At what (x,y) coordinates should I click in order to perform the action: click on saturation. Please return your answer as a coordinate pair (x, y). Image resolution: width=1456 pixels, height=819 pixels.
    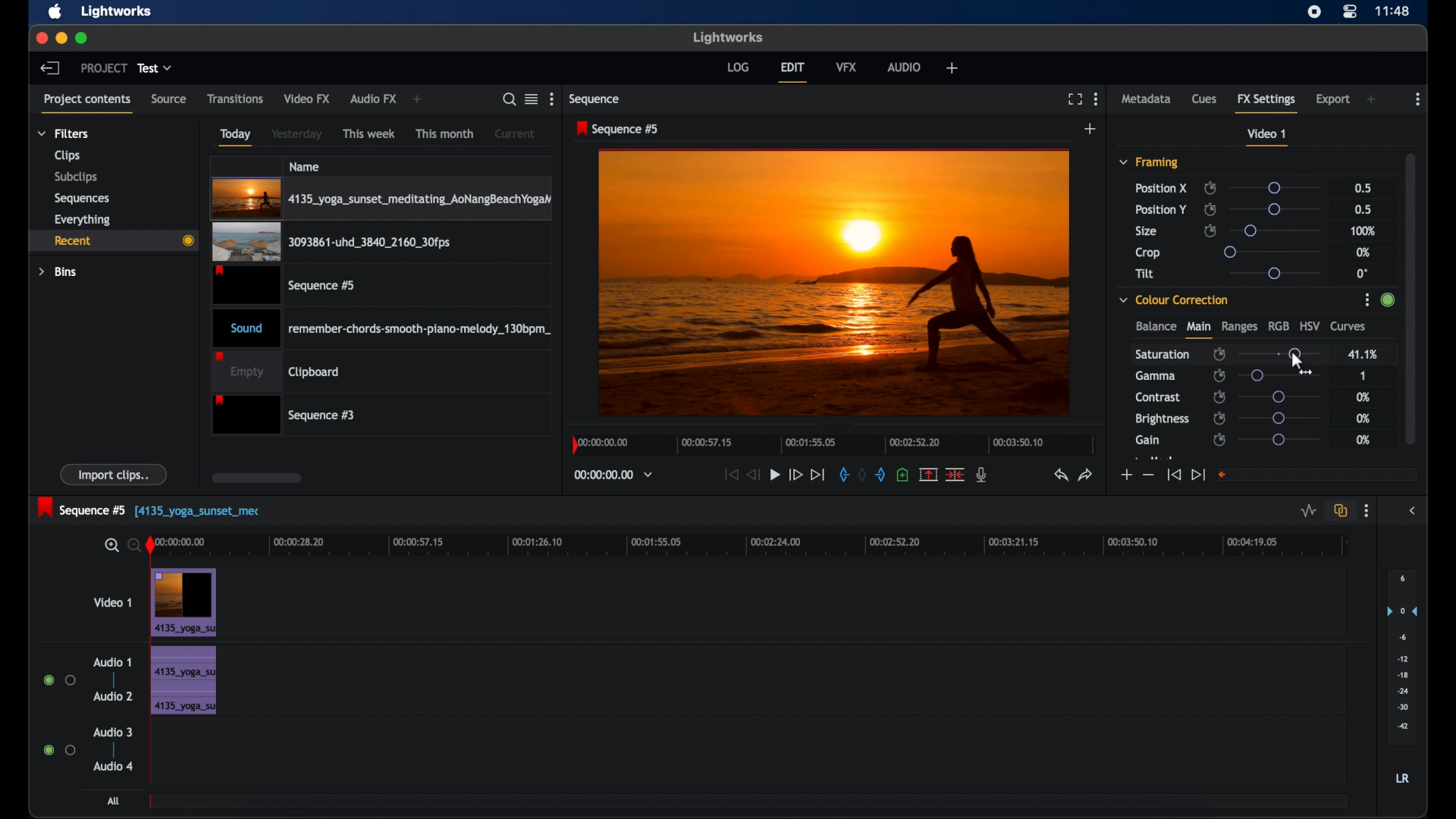
    Looking at the image, I should click on (1163, 353).